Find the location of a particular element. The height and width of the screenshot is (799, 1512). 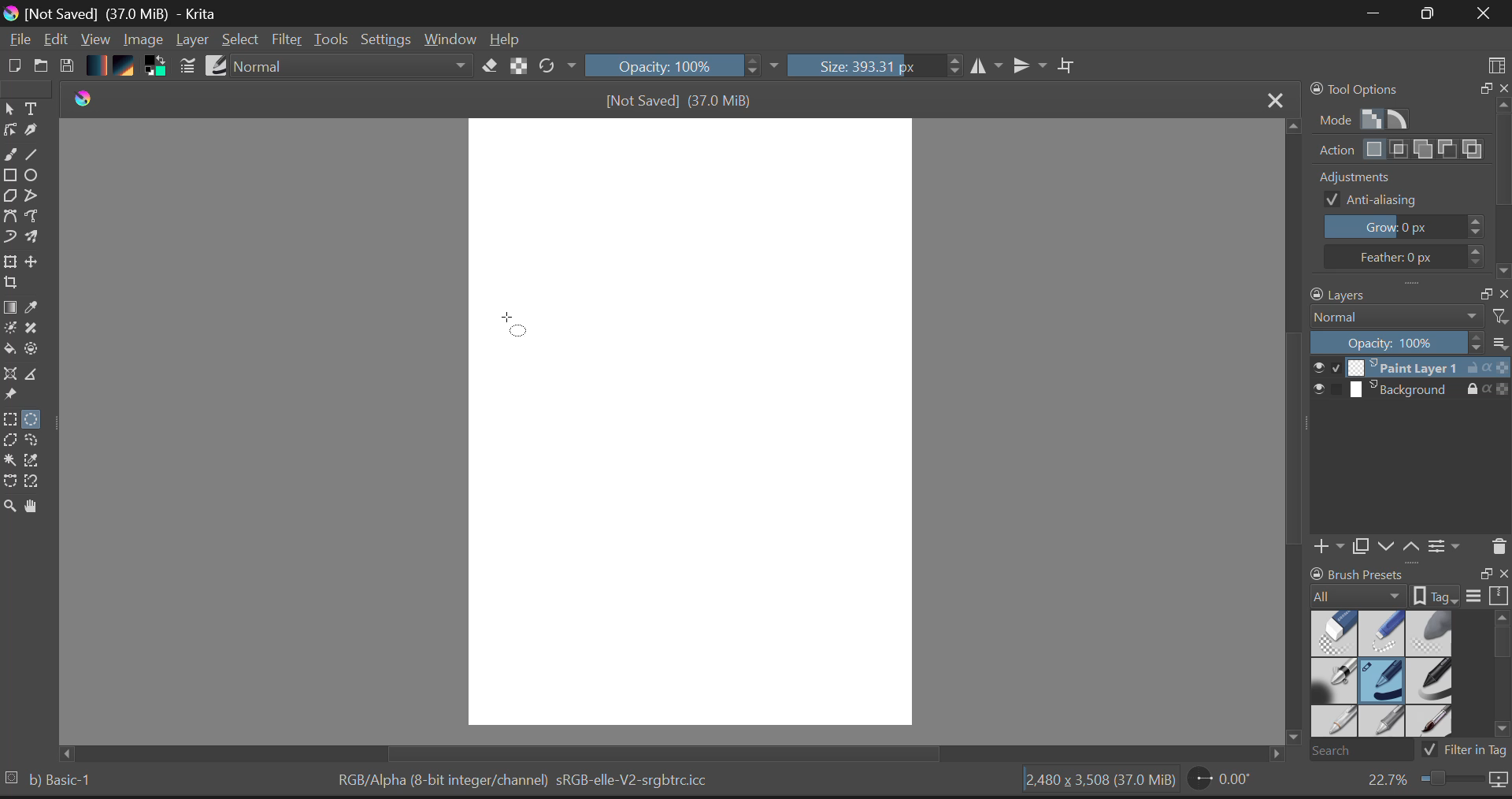

Choose Workspace is located at coordinates (1496, 60).